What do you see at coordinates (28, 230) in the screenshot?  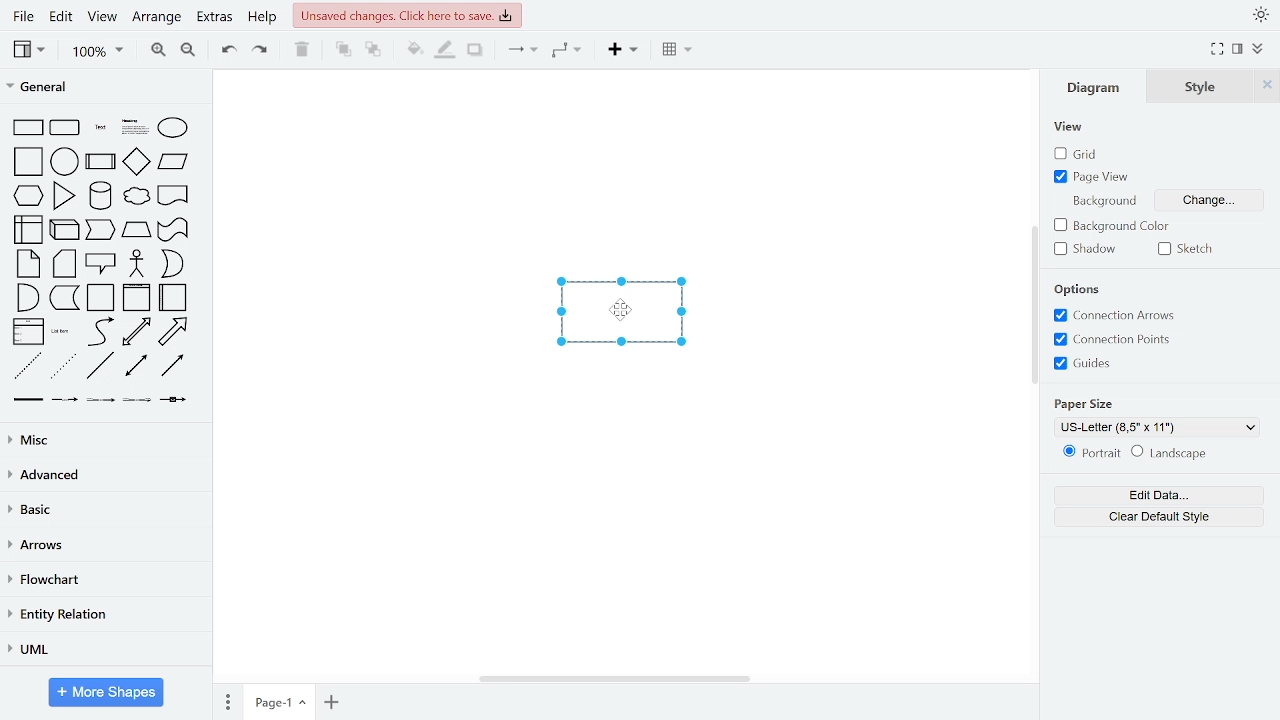 I see `general shapes` at bounding box center [28, 230].